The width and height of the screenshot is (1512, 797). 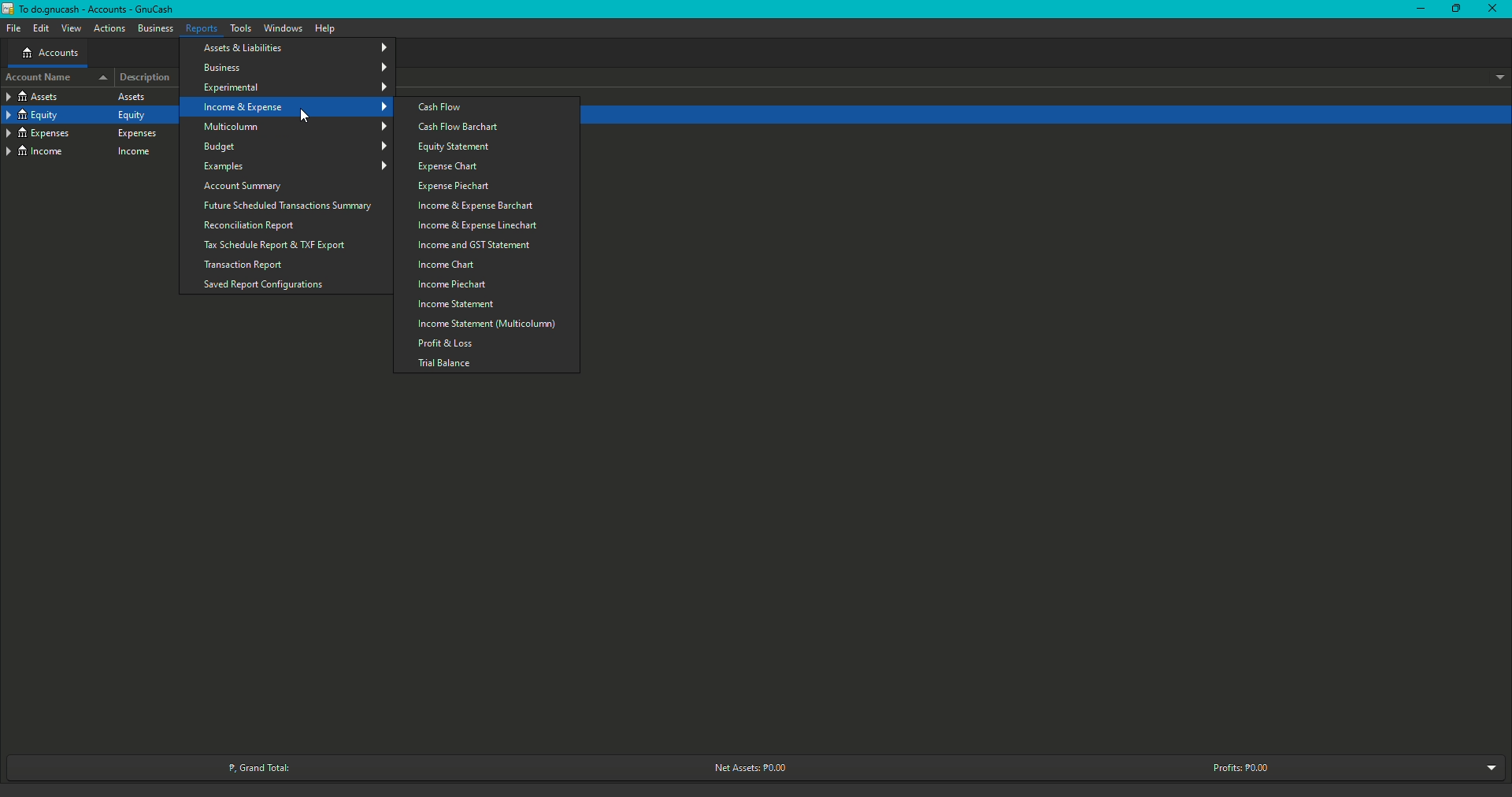 I want to click on Drop down, so click(x=1497, y=76).